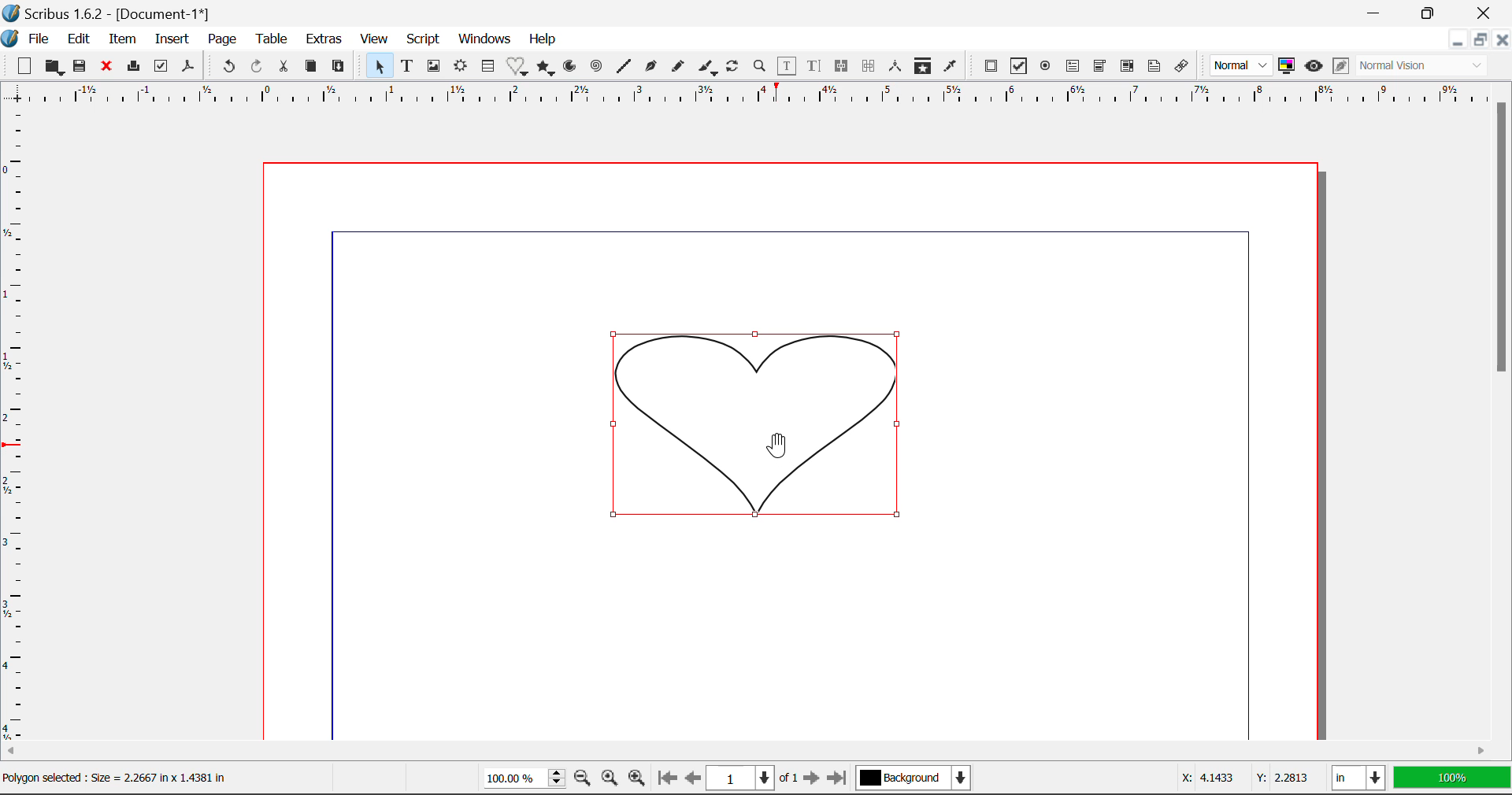 This screenshot has width=1512, height=795. What do you see at coordinates (814, 68) in the screenshot?
I see `Edit Text in Story Editor` at bounding box center [814, 68].